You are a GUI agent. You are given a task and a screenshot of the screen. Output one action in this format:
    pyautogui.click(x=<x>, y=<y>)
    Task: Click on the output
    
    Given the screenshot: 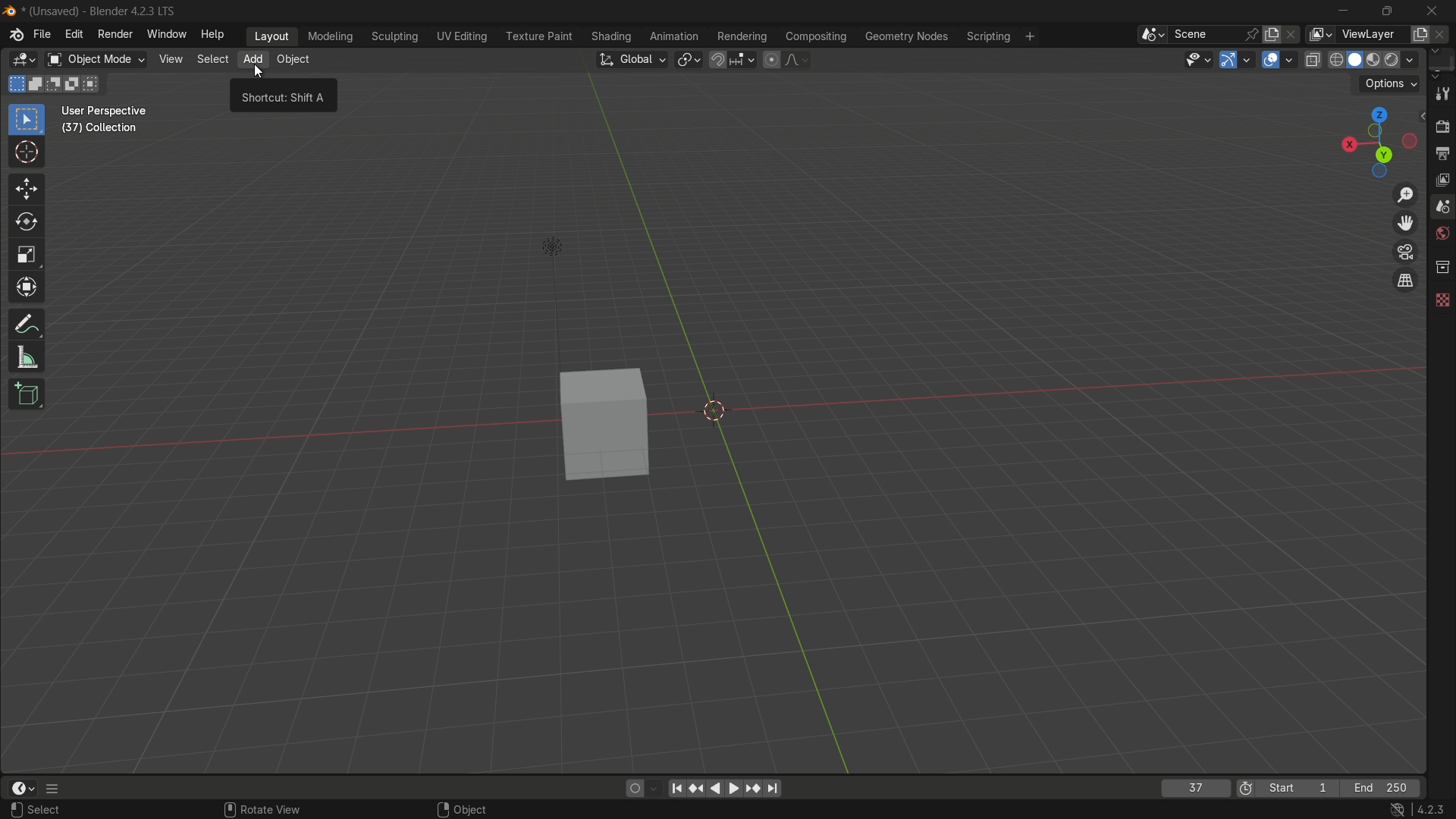 What is the action you would take?
    pyautogui.click(x=1441, y=152)
    